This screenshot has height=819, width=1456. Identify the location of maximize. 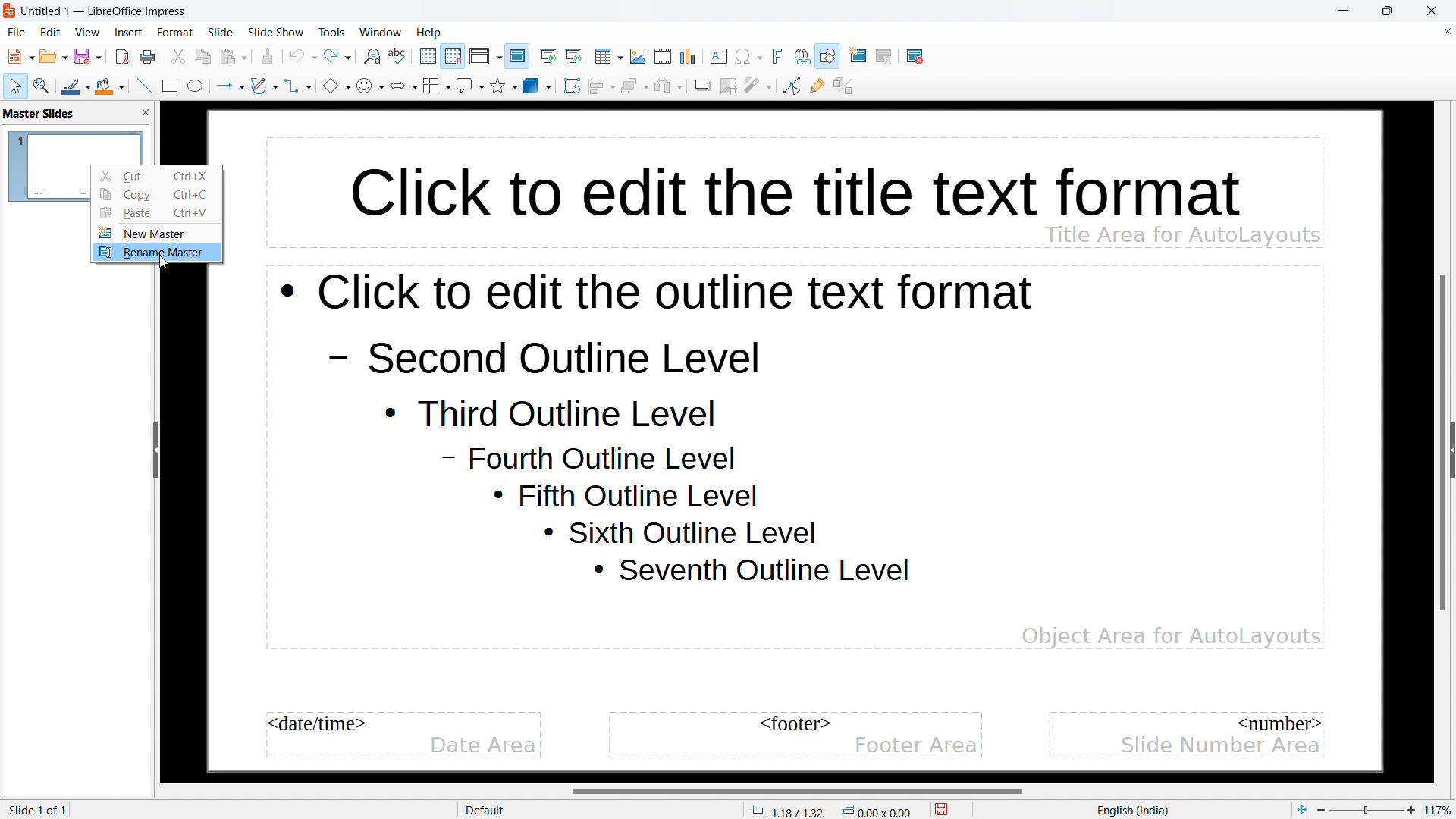
(1386, 11).